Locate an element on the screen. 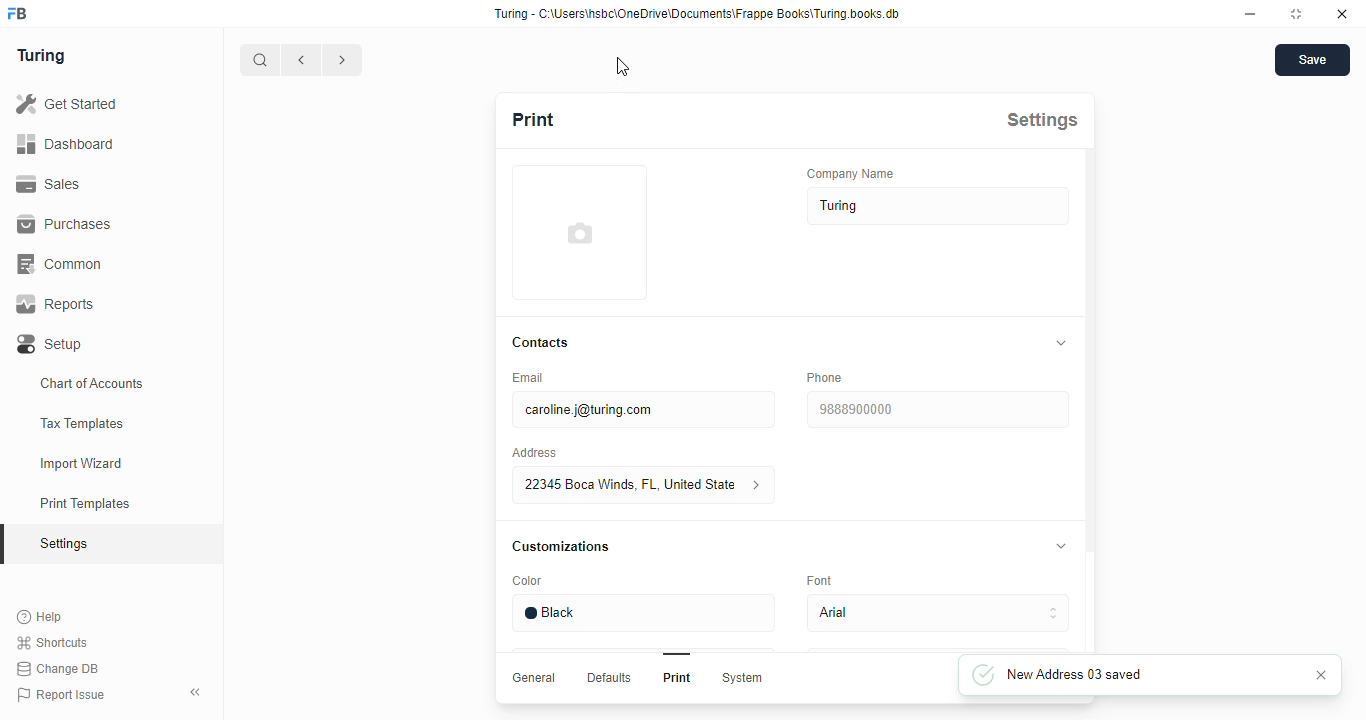 This screenshot has width=1366, height=720. import wizard is located at coordinates (82, 464).